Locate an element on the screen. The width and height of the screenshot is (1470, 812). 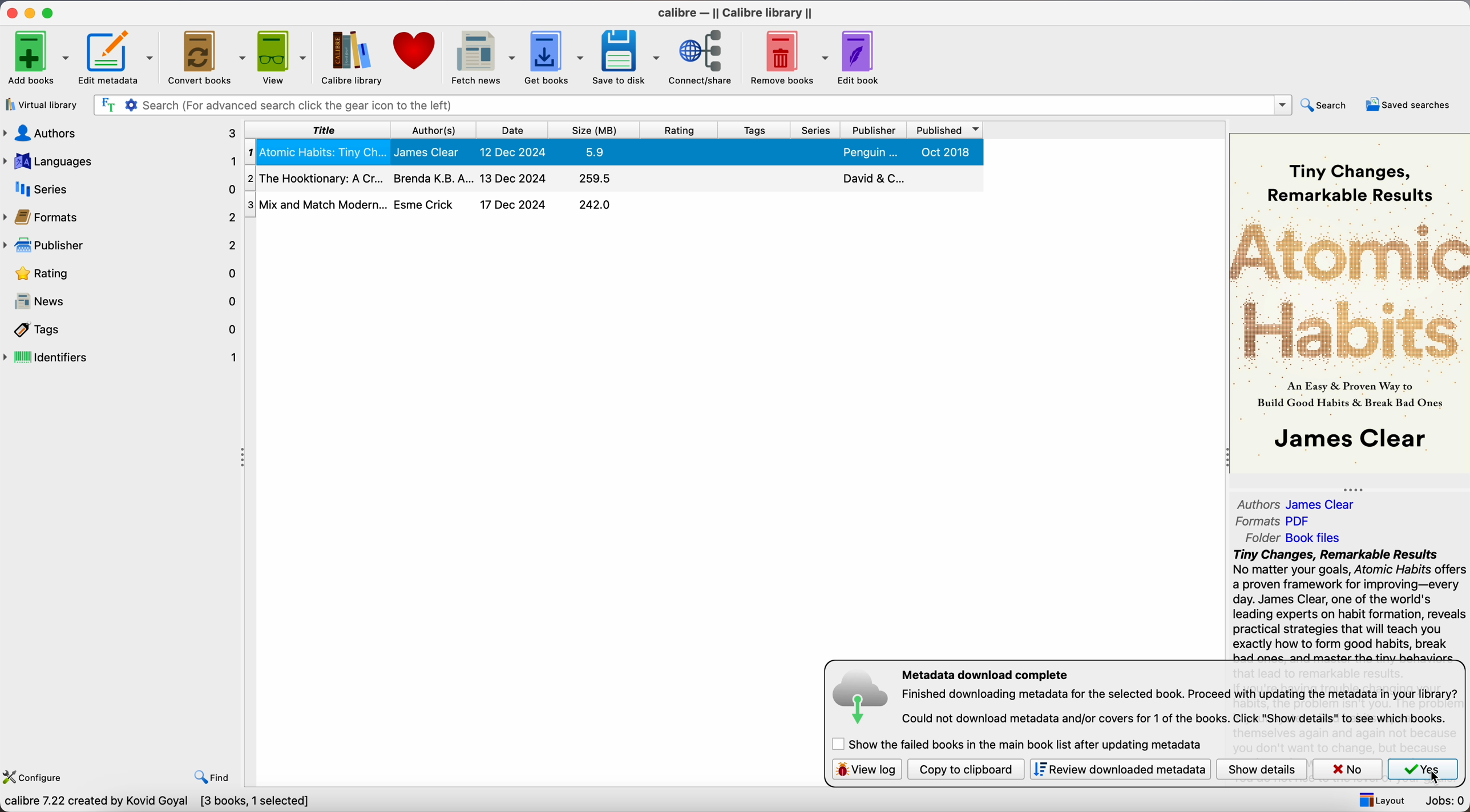
publisher is located at coordinates (873, 130).